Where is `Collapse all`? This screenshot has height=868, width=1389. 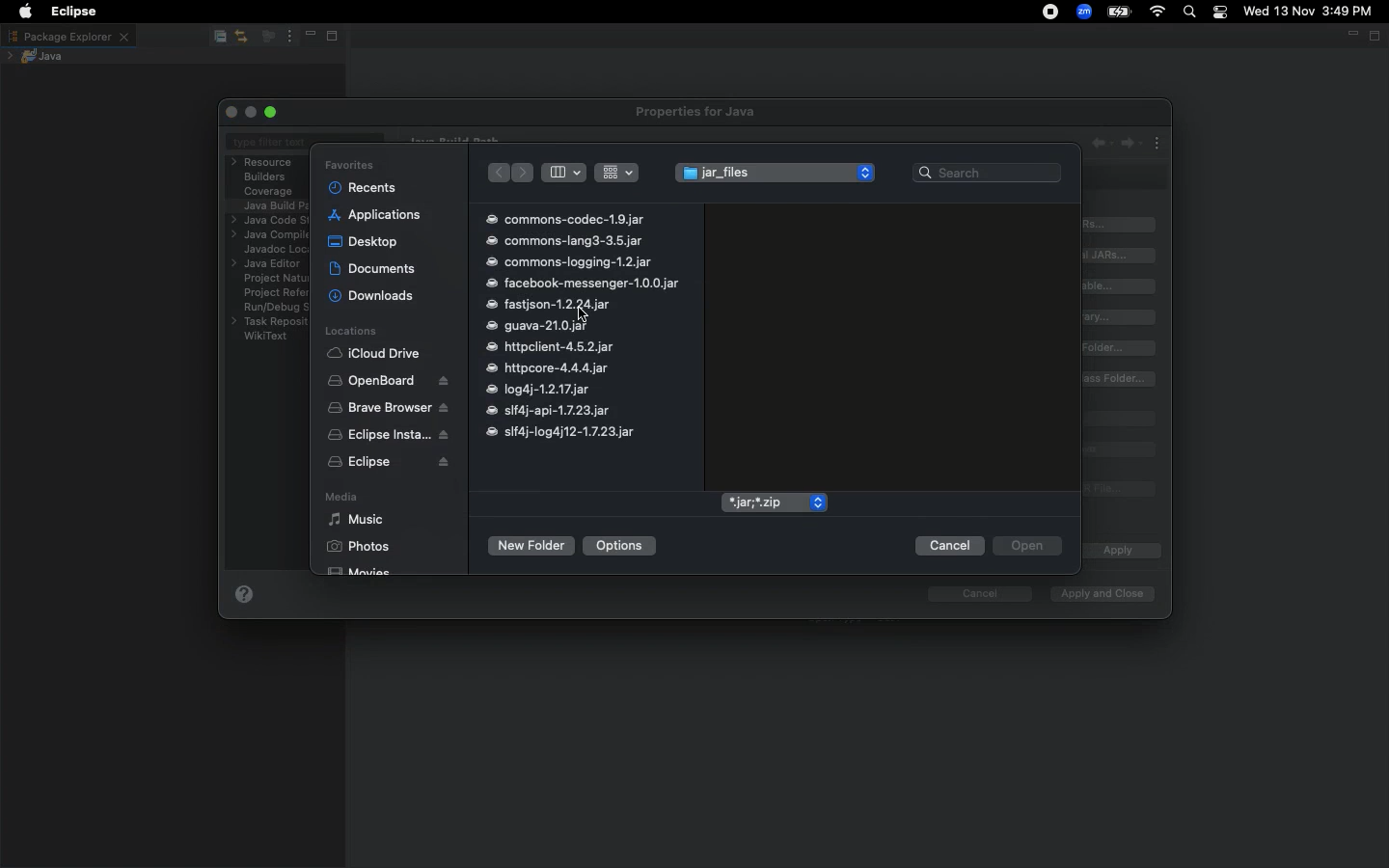 Collapse all is located at coordinates (218, 38).